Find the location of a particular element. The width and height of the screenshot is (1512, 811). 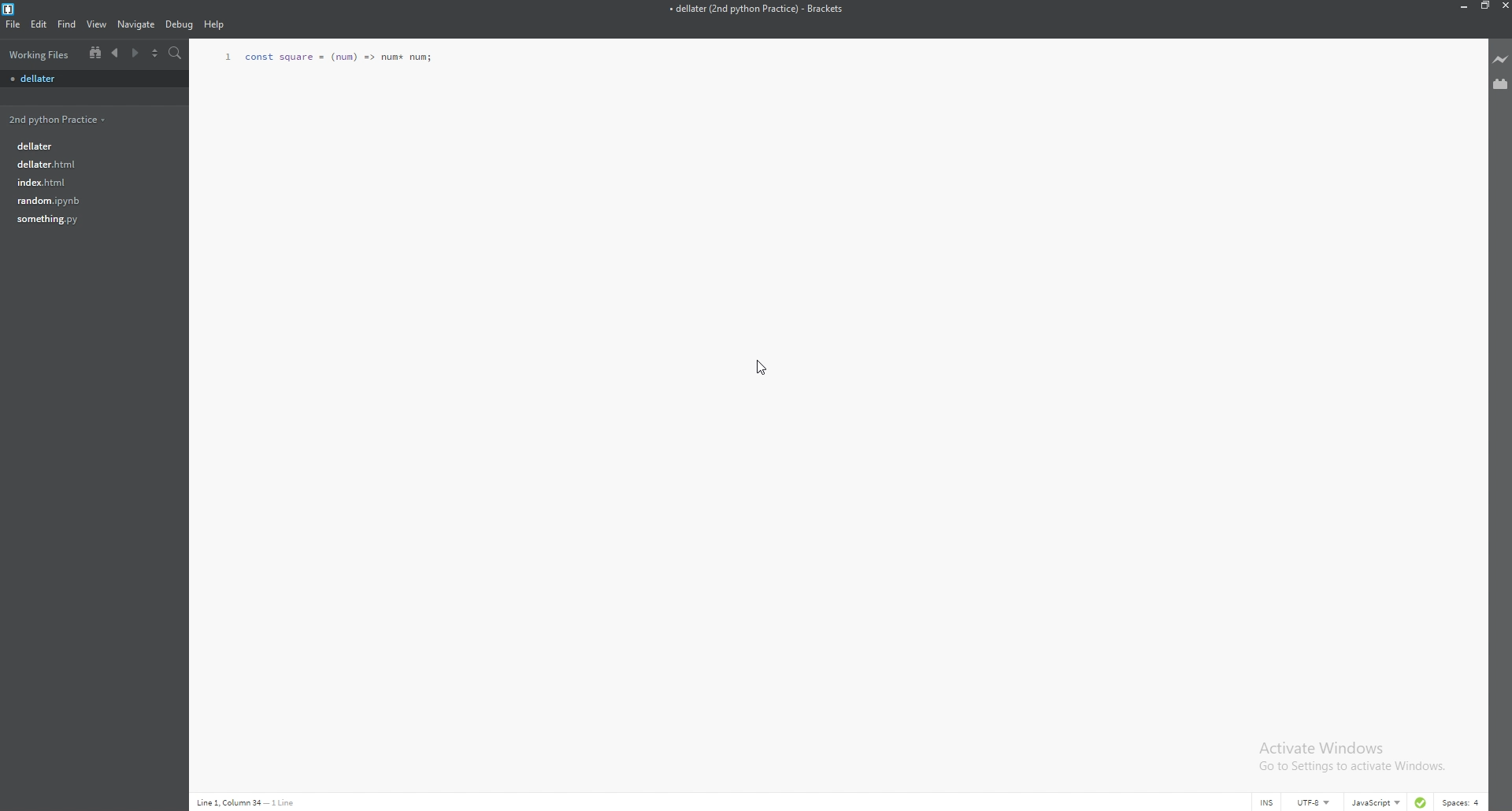

extension manager is located at coordinates (1499, 83).